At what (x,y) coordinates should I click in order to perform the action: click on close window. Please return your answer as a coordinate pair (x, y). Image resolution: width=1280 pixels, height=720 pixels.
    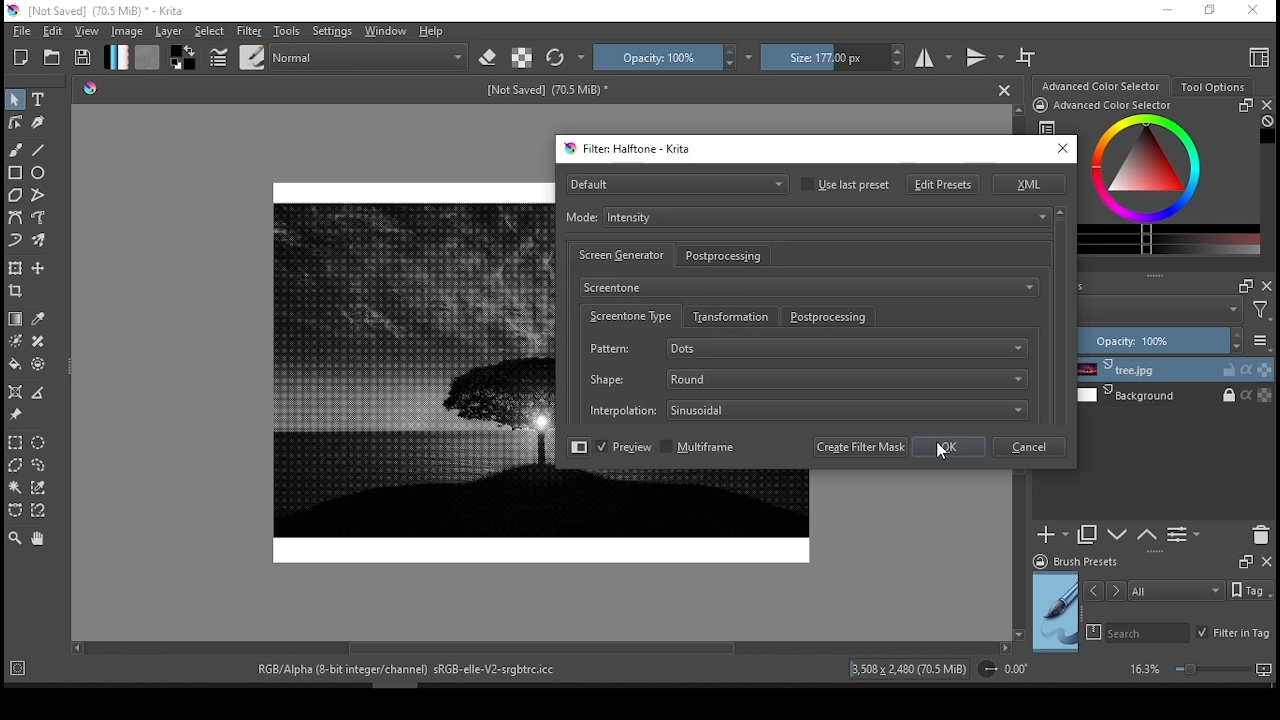
    Looking at the image, I should click on (1251, 12).